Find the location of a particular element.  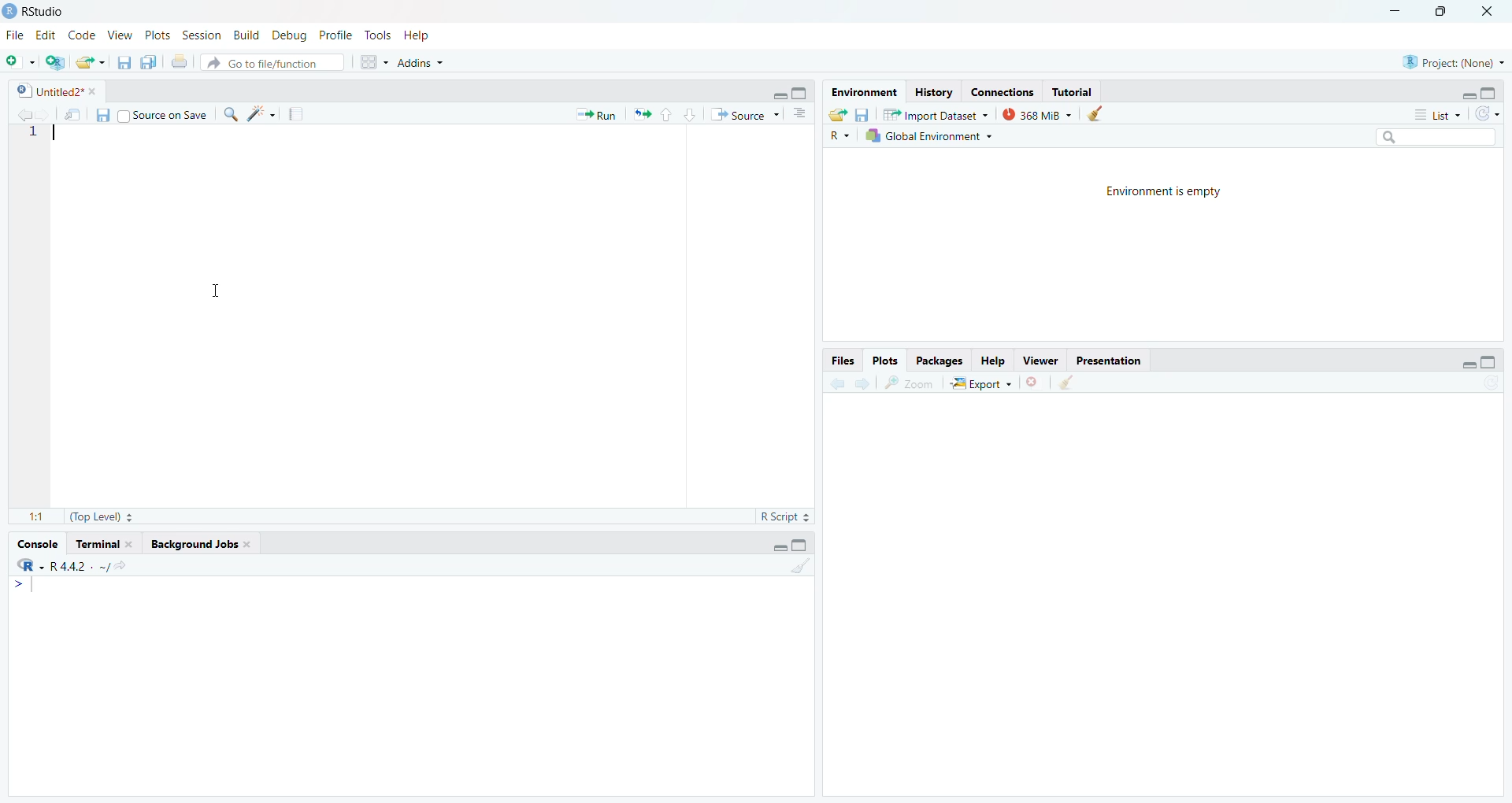

files is located at coordinates (864, 115).